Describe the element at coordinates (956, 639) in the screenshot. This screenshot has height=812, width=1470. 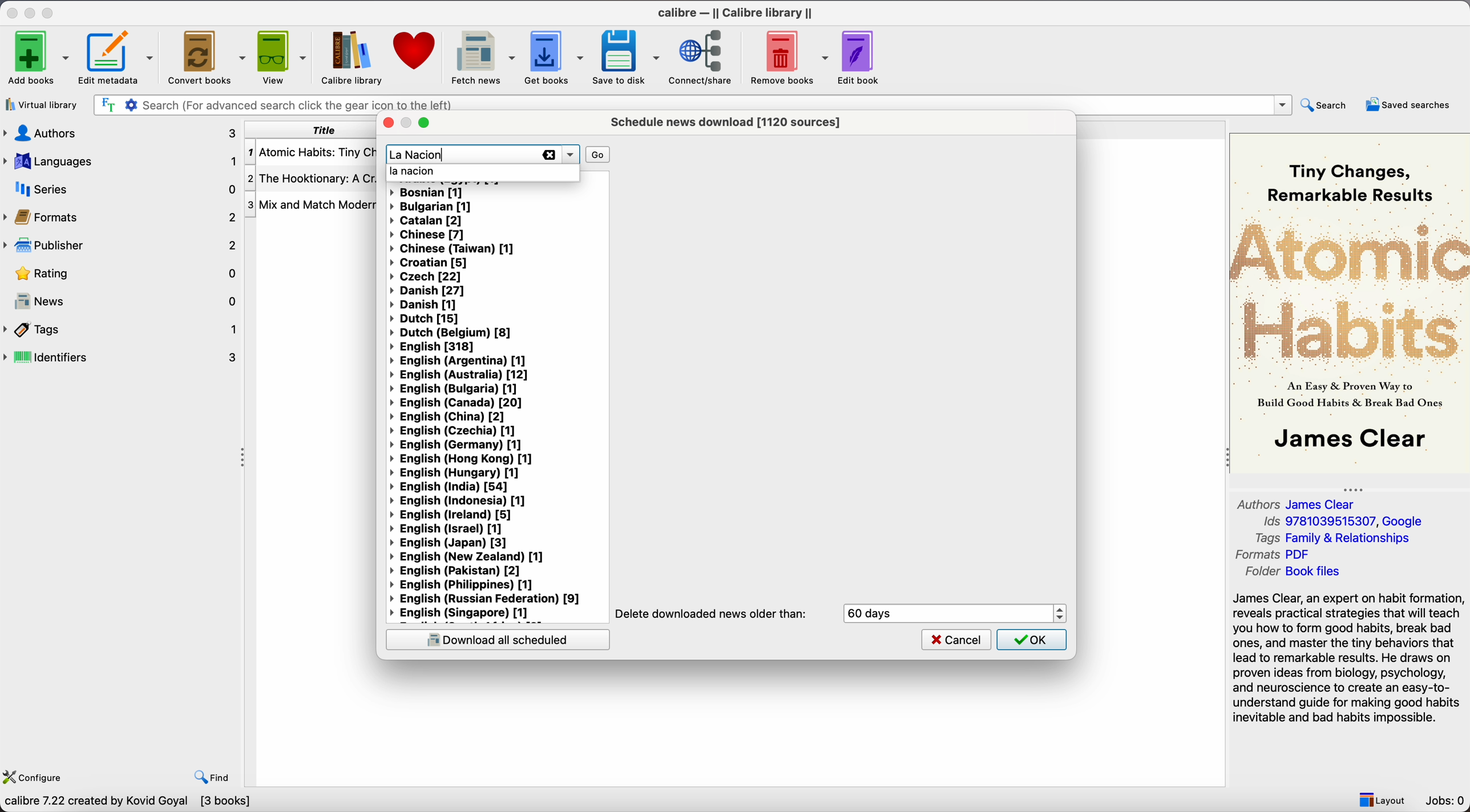
I see `cancel` at that location.